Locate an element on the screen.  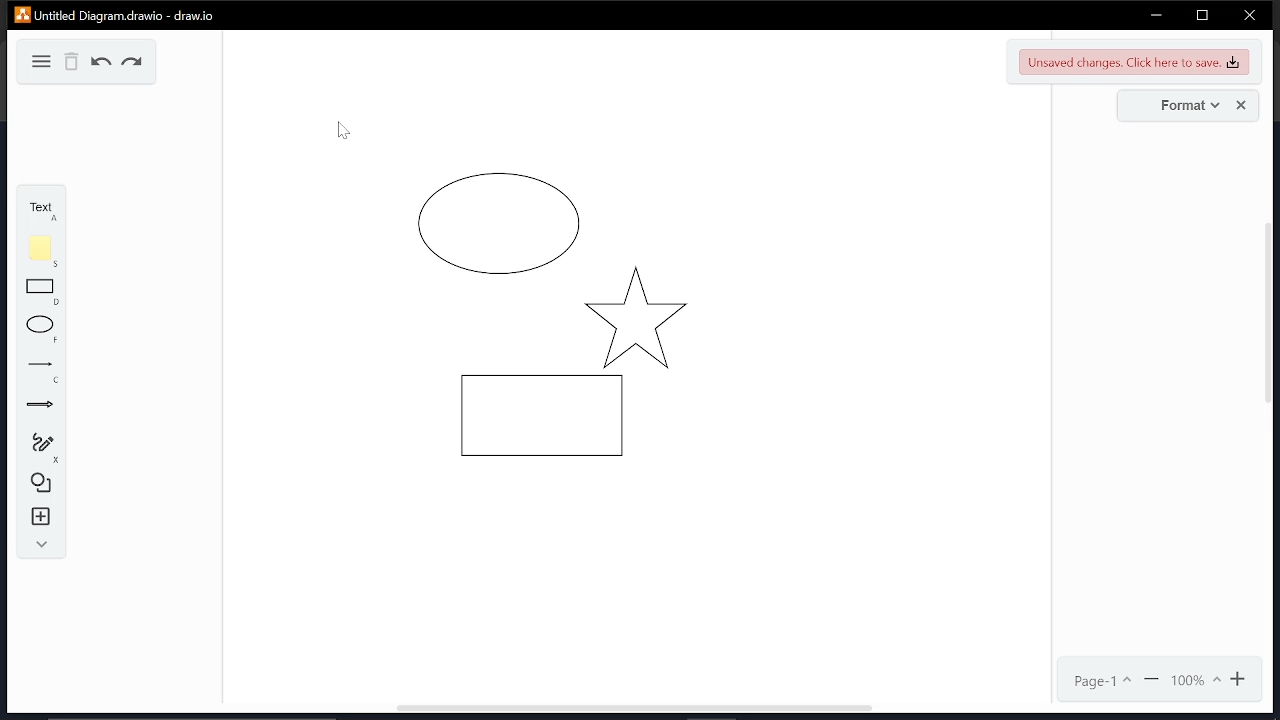
freehand is located at coordinates (42, 447).